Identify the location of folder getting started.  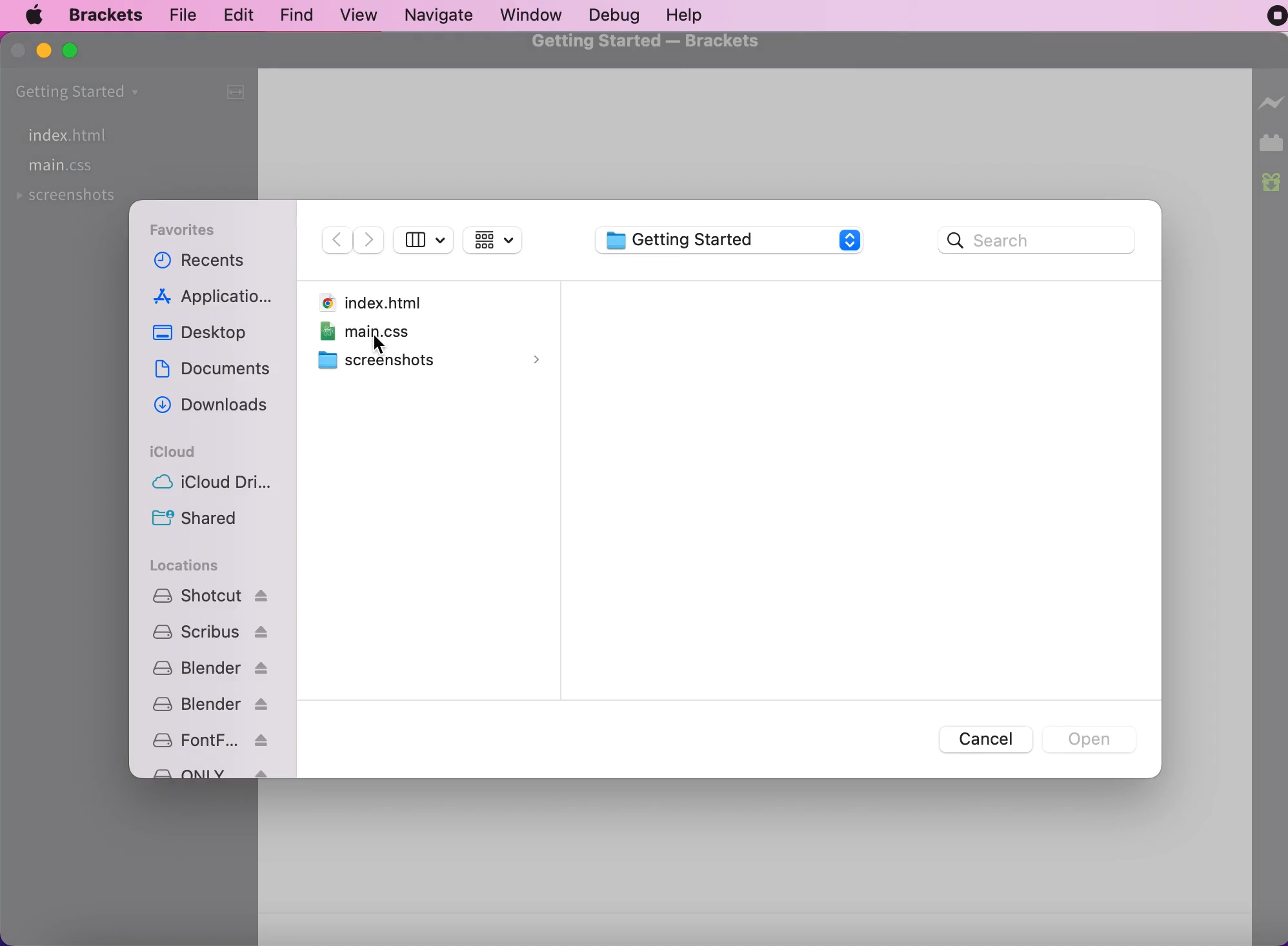
(81, 91).